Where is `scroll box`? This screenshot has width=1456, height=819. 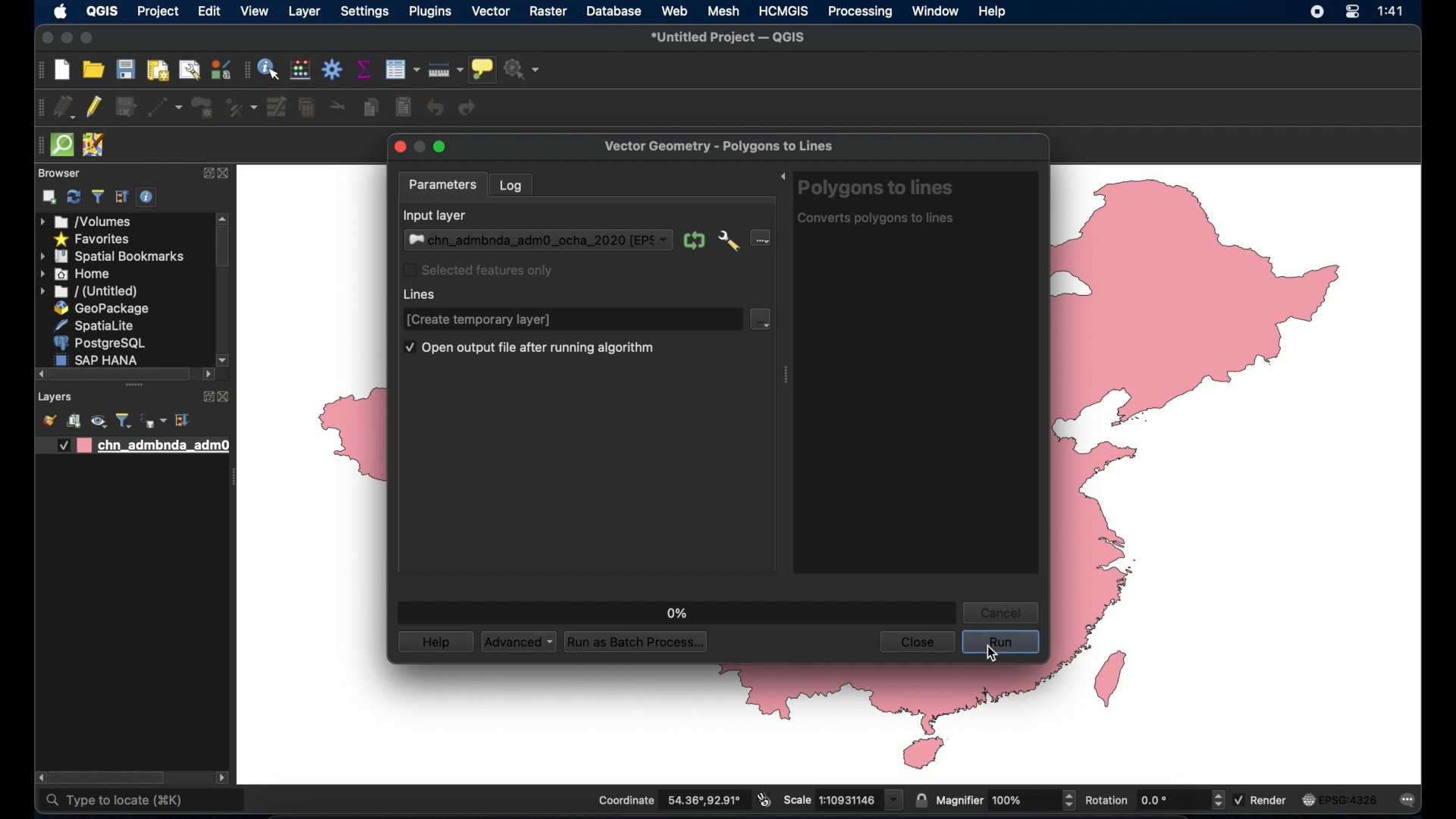
scroll box is located at coordinates (119, 374).